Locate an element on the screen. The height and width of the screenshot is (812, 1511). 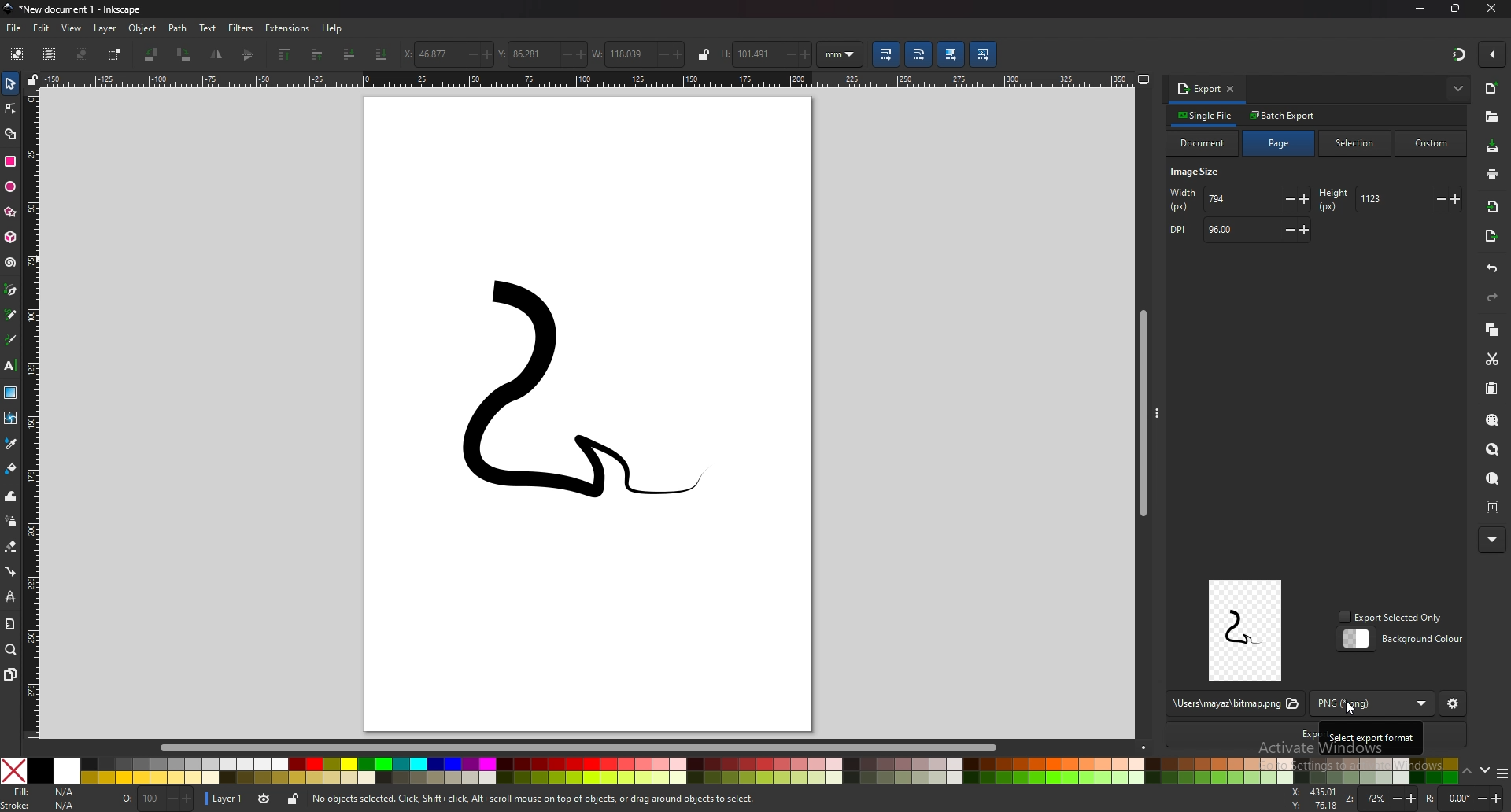
lower selection to bottom is located at coordinates (382, 54).